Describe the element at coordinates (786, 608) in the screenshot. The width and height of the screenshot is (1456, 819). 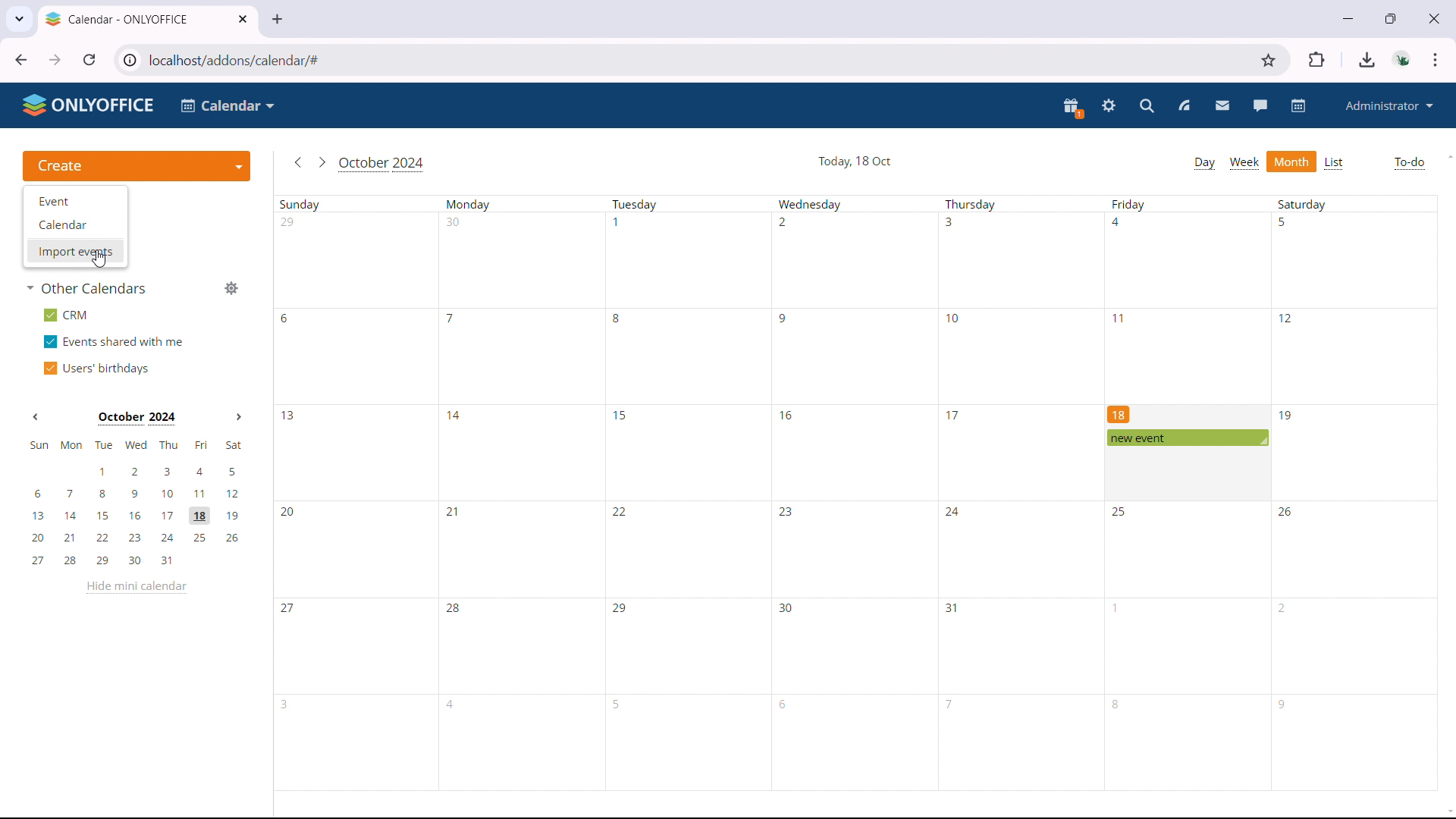
I see `30` at that location.